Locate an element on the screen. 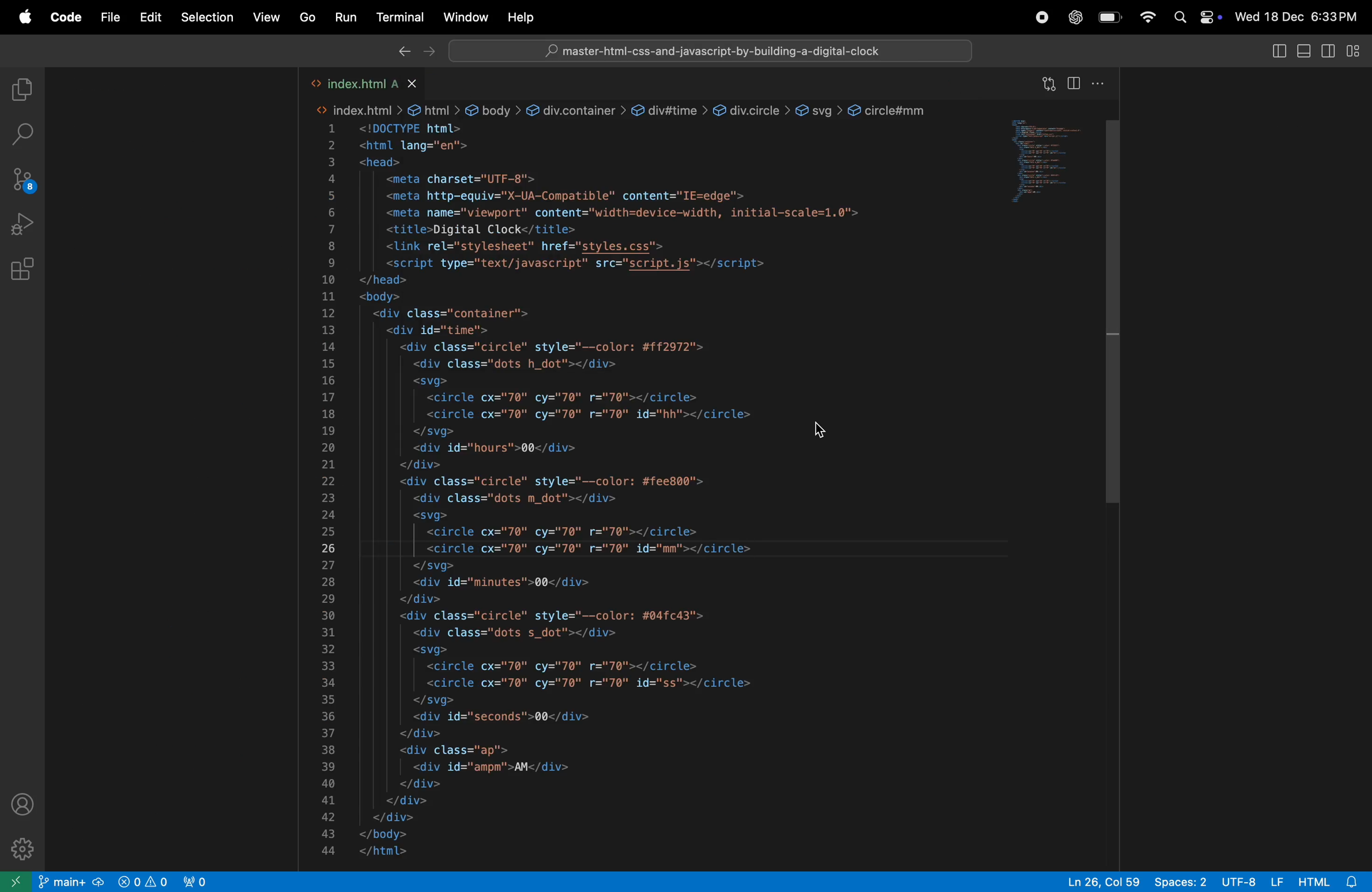  apple menu is located at coordinates (19, 17).